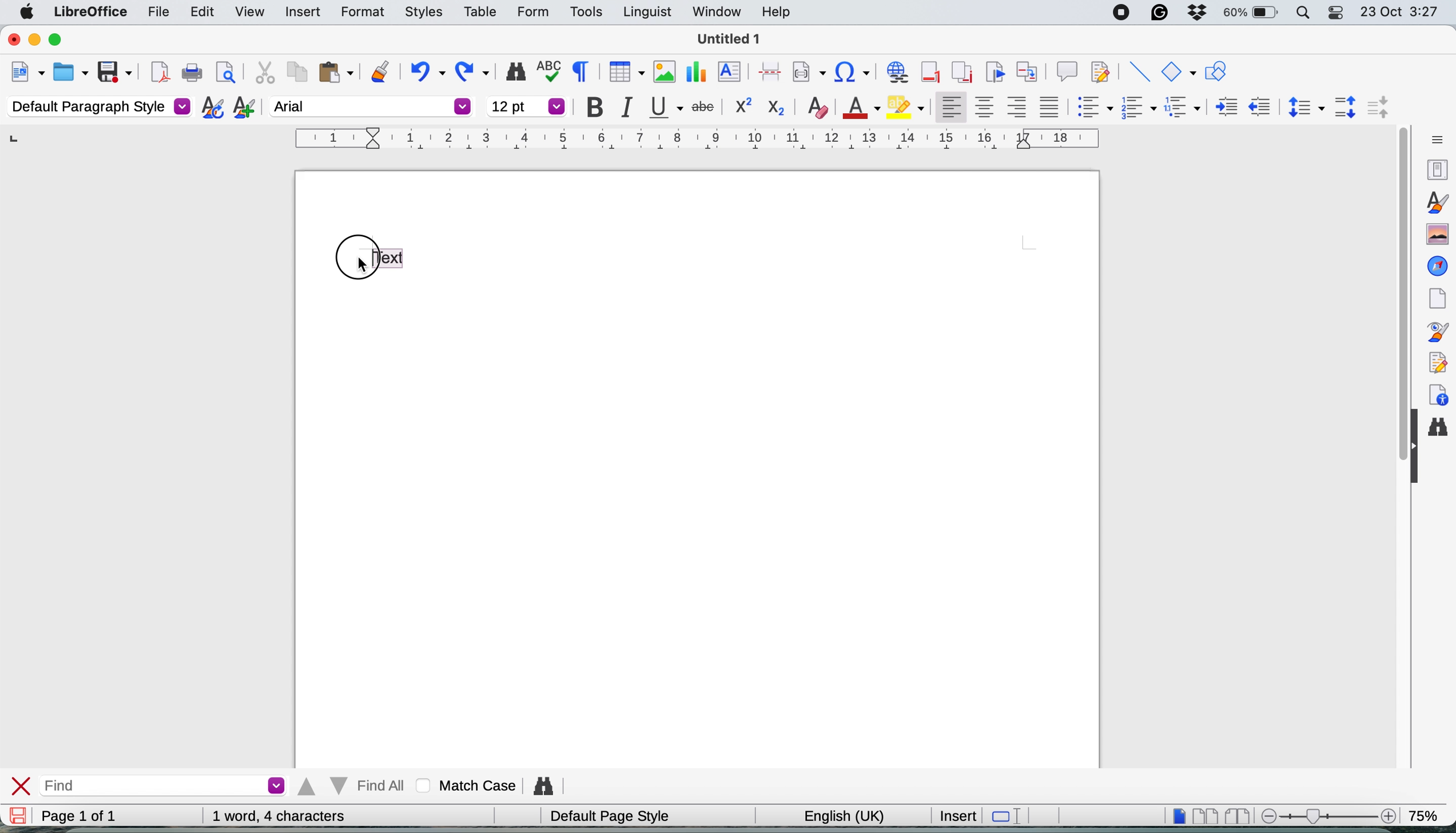 The width and height of the screenshot is (1456, 833). I want to click on minimise, so click(33, 39).